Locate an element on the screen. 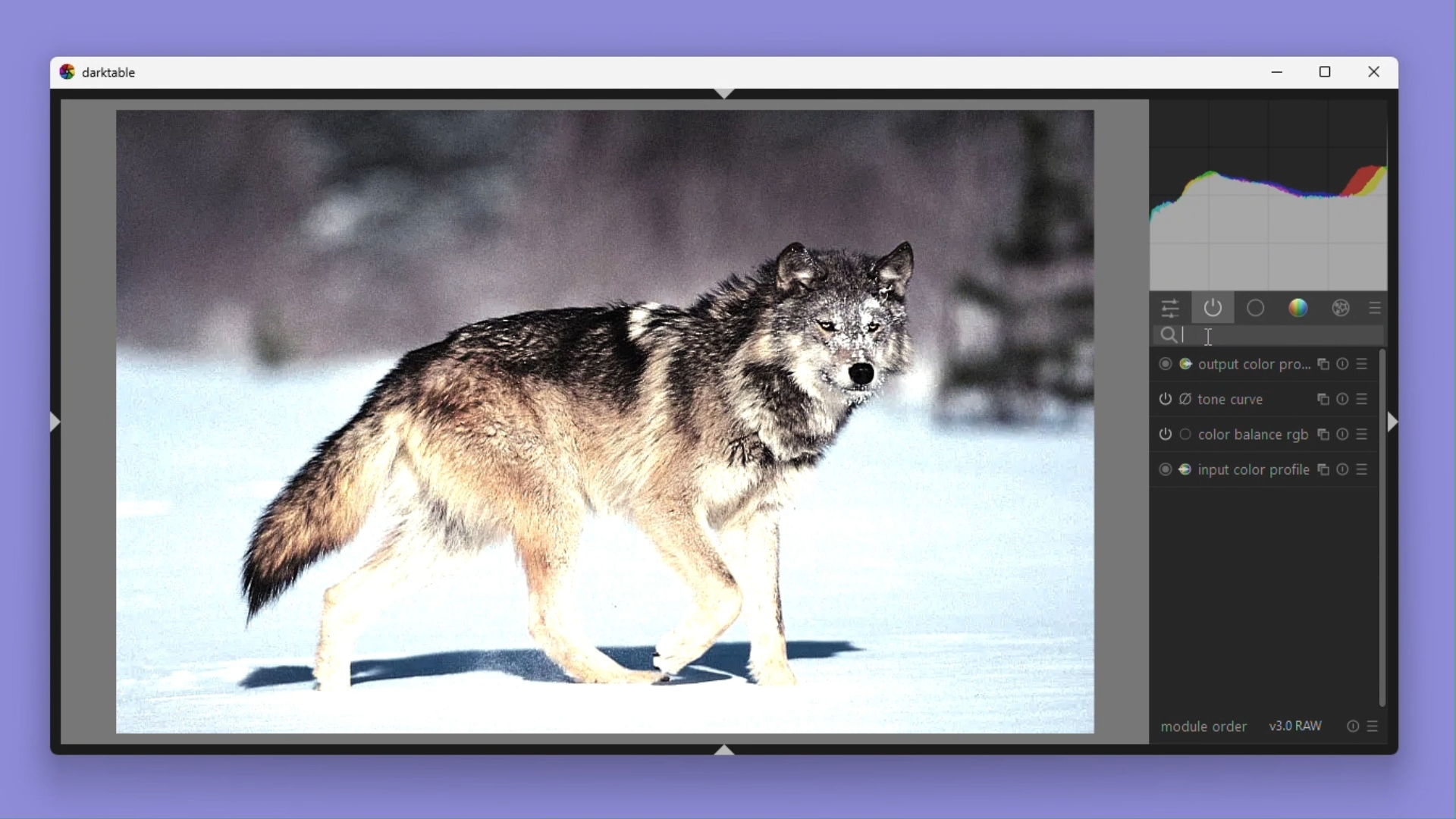 This screenshot has height=819, width=1456. Base is located at coordinates (1257, 309).